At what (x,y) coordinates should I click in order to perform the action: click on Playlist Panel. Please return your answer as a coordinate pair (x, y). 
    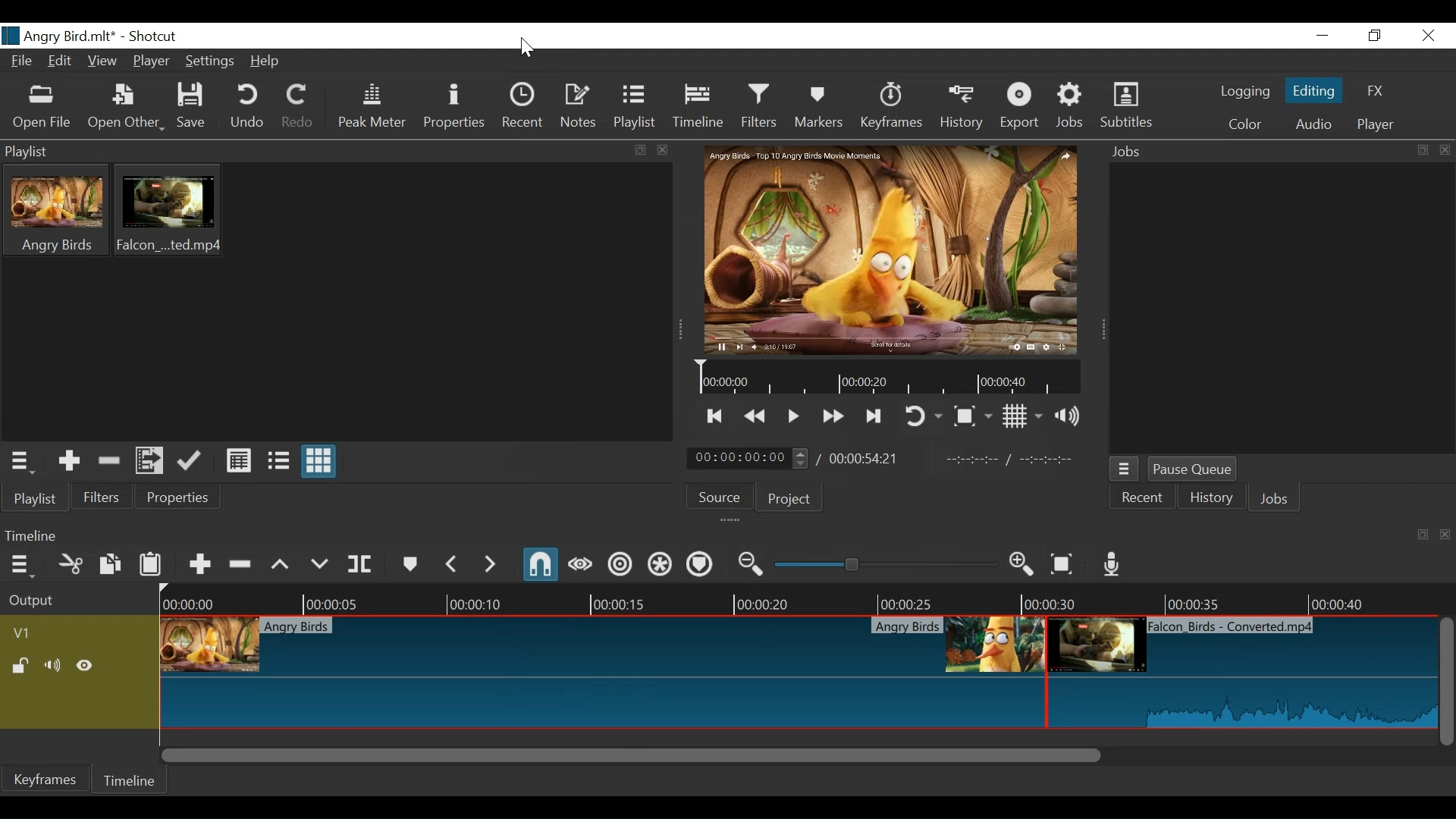
    Looking at the image, I should click on (24, 463).